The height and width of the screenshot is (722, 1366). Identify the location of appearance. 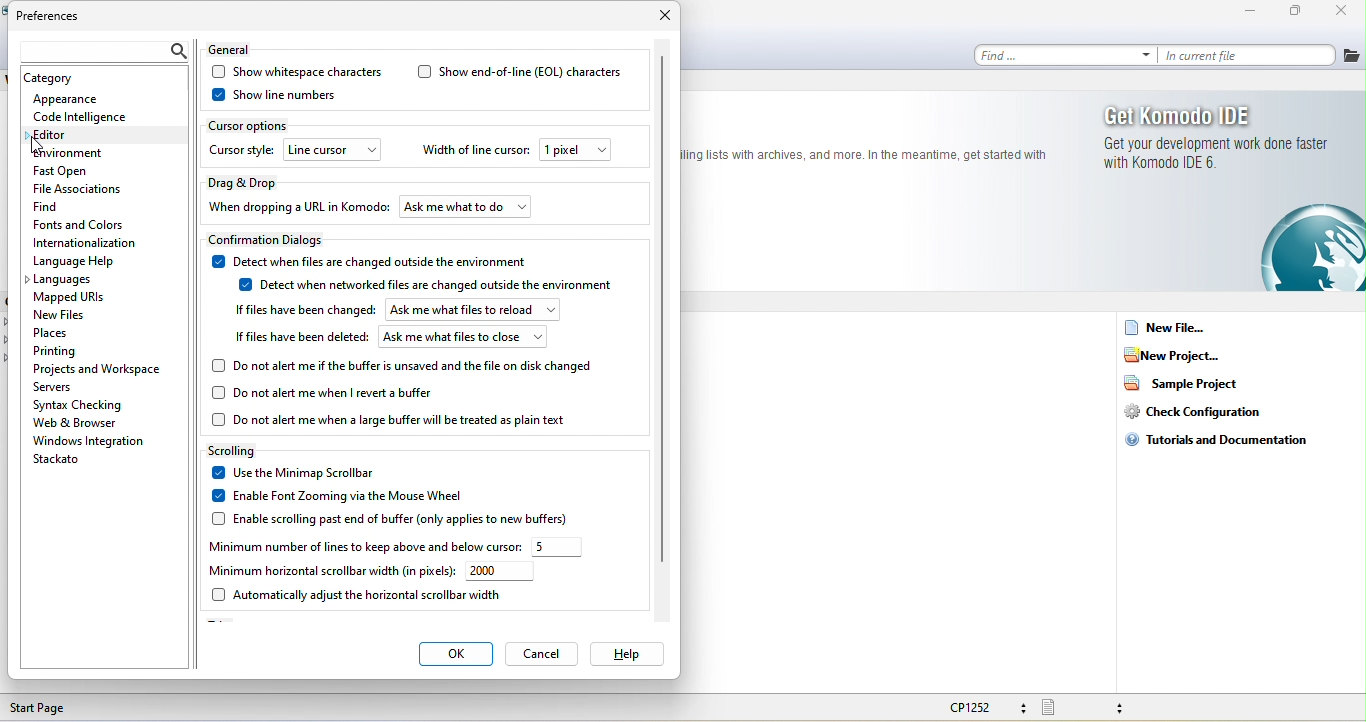
(78, 98).